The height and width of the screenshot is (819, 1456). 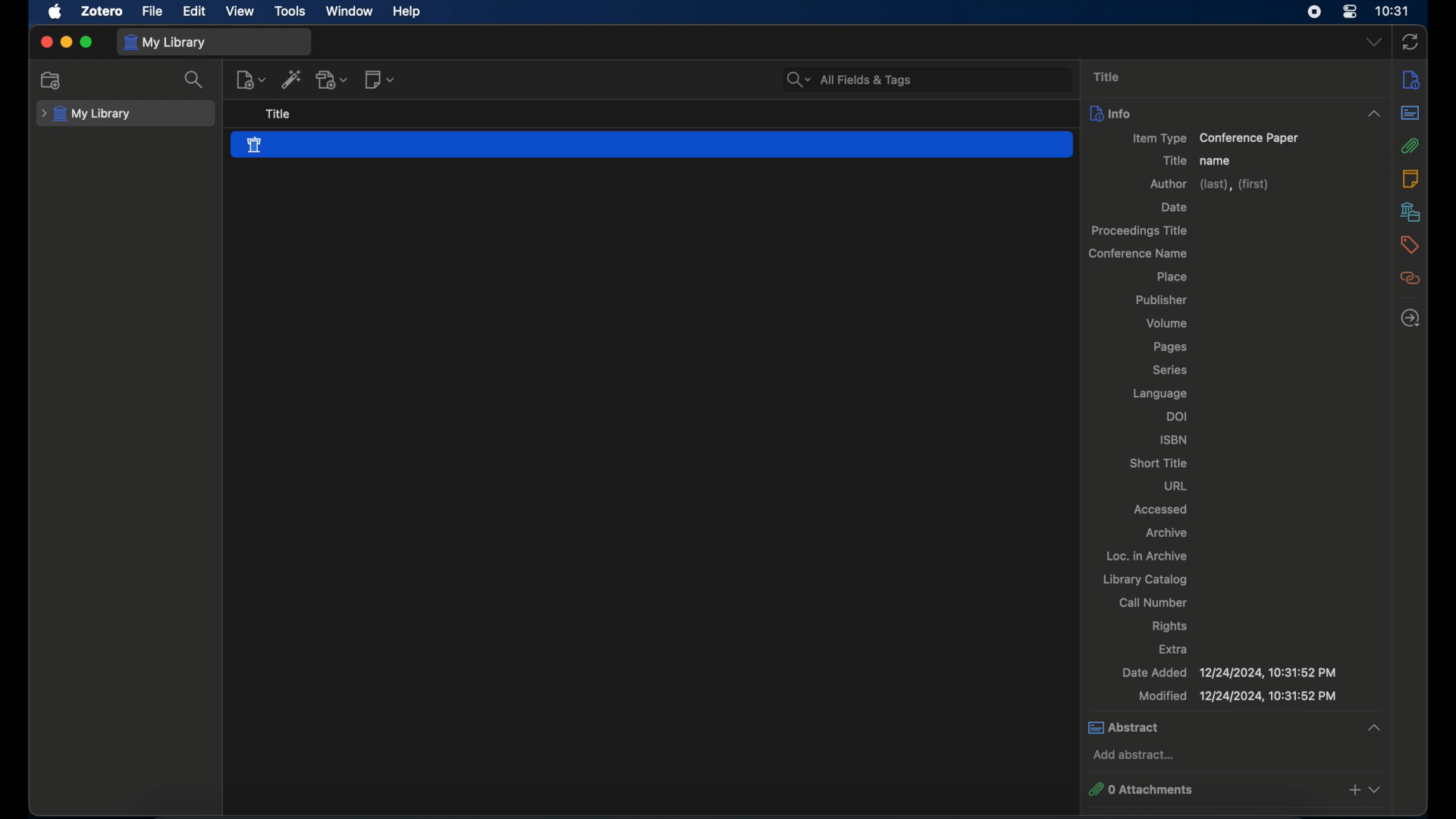 What do you see at coordinates (1171, 276) in the screenshot?
I see `place` at bounding box center [1171, 276].